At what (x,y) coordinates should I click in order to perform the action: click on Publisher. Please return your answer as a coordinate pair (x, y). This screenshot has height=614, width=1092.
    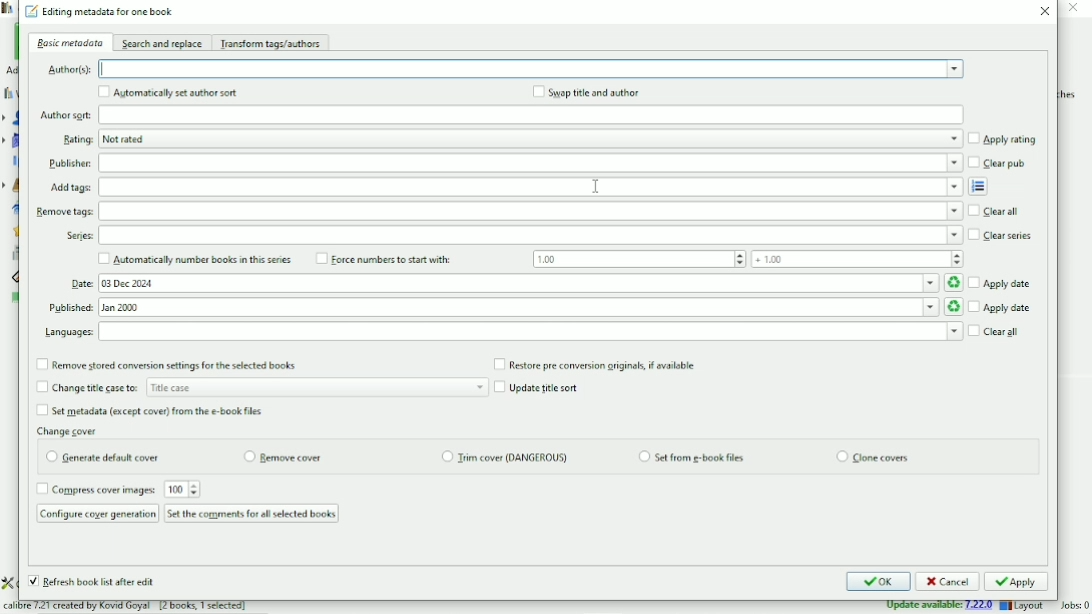
    Looking at the image, I should click on (68, 164).